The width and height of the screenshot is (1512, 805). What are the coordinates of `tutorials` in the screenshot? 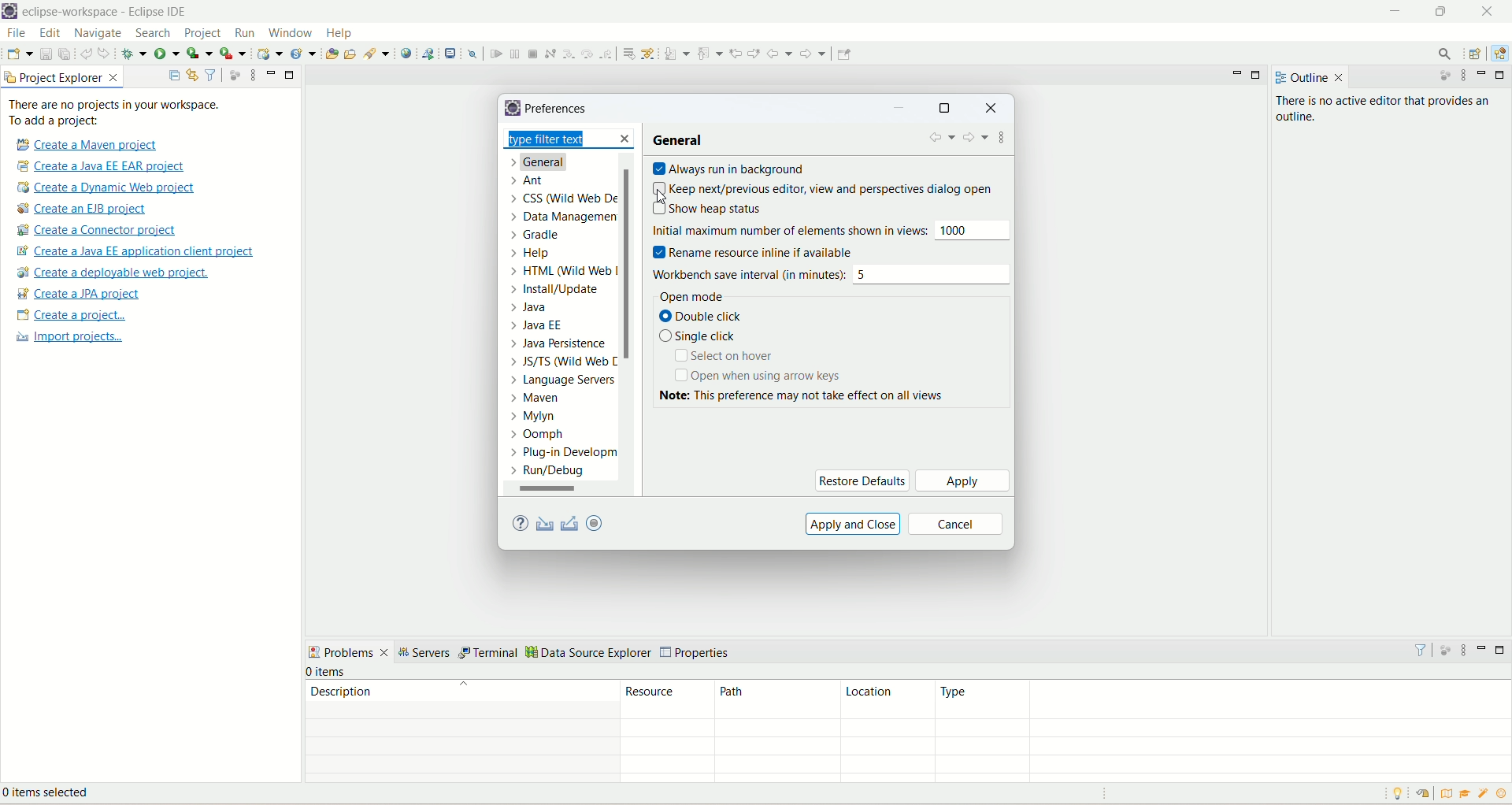 It's located at (1467, 794).